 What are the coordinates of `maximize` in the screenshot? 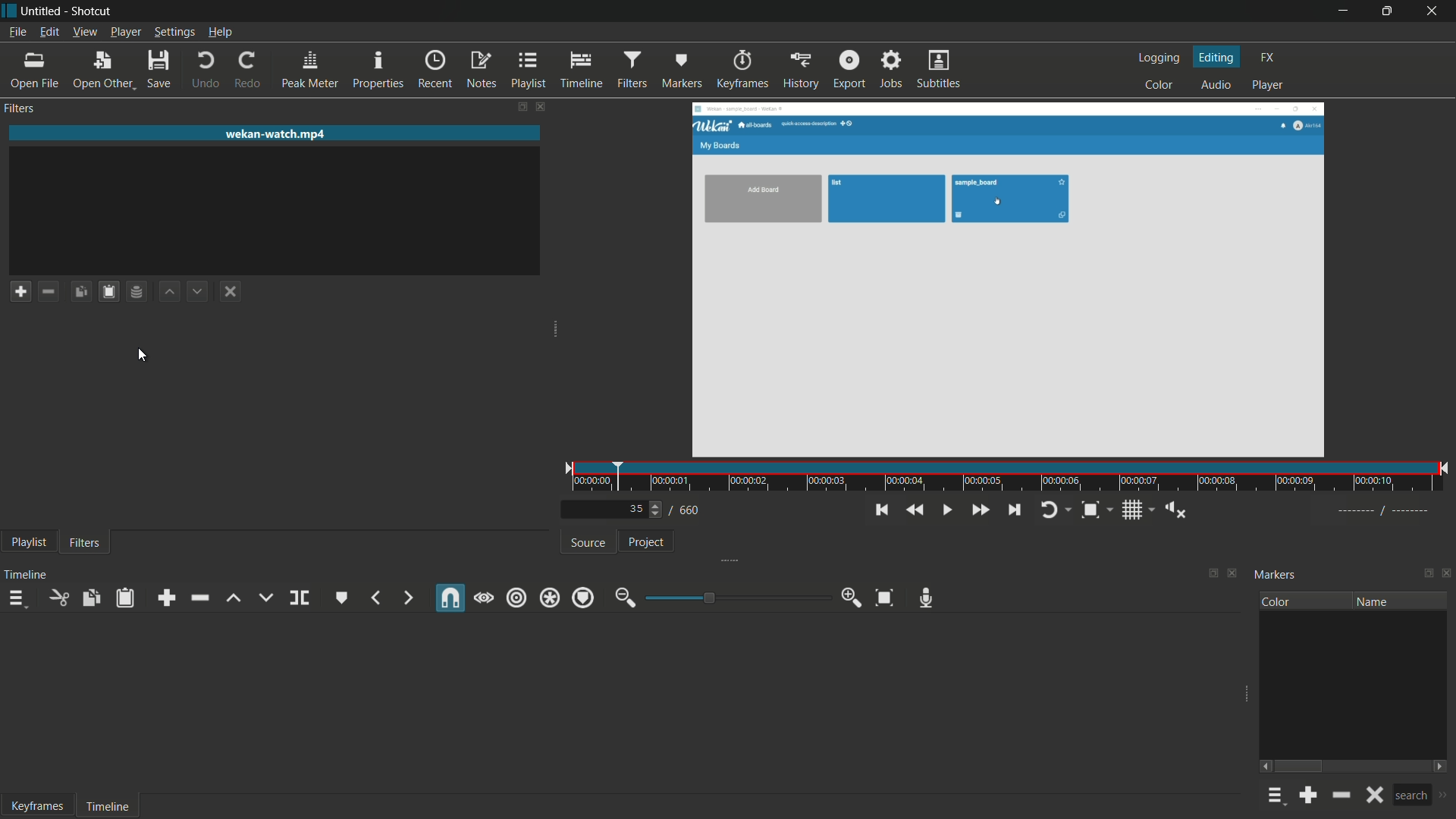 It's located at (1389, 11).